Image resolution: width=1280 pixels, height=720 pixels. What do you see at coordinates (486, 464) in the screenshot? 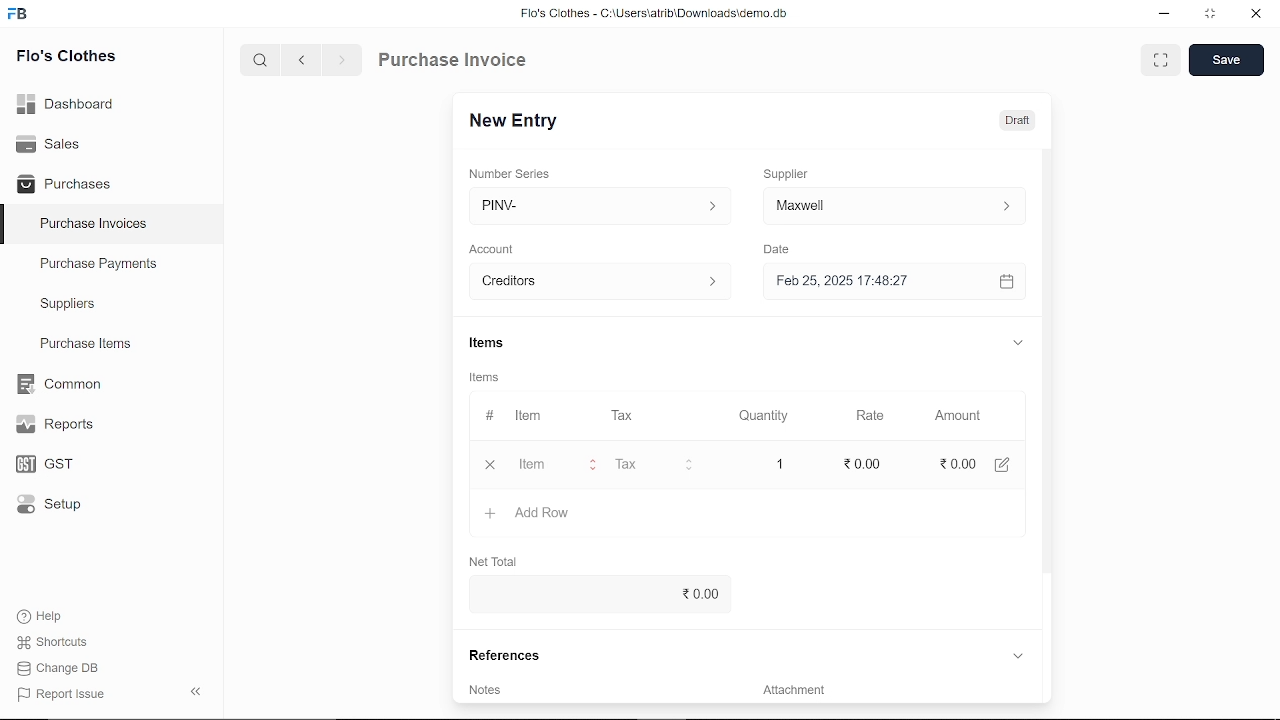
I see `close` at bounding box center [486, 464].